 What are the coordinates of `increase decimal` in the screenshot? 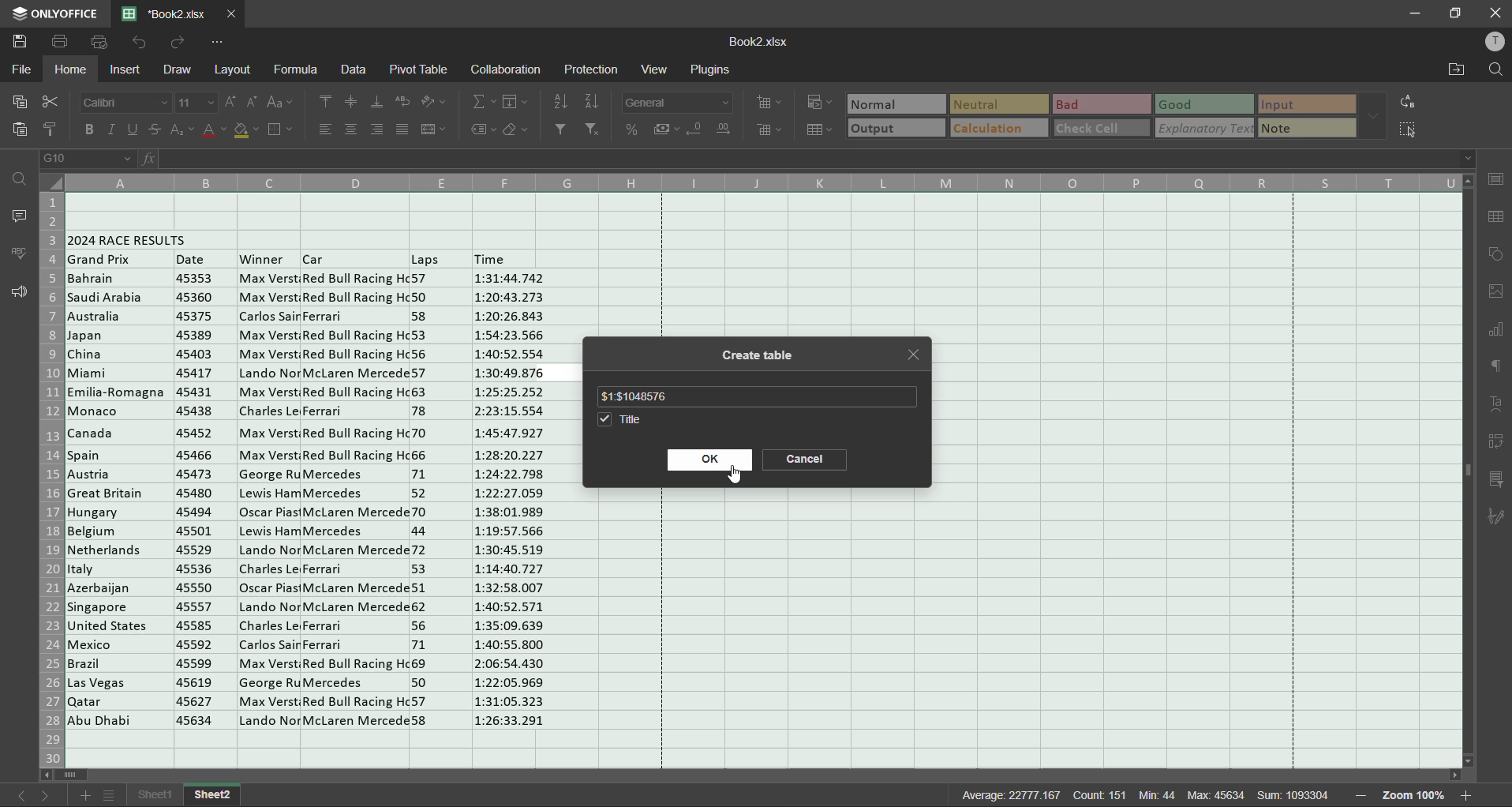 It's located at (725, 131).